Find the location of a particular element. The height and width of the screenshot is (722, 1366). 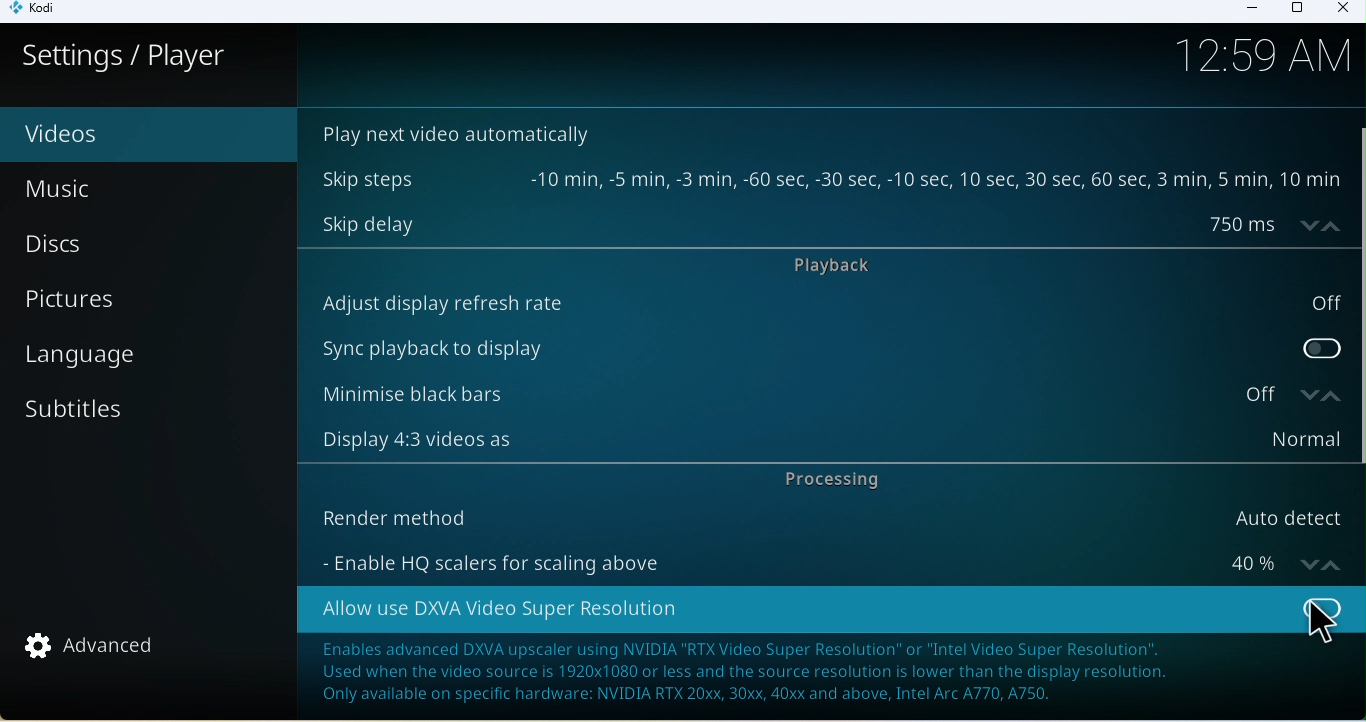

Settings/player is located at coordinates (125, 56).